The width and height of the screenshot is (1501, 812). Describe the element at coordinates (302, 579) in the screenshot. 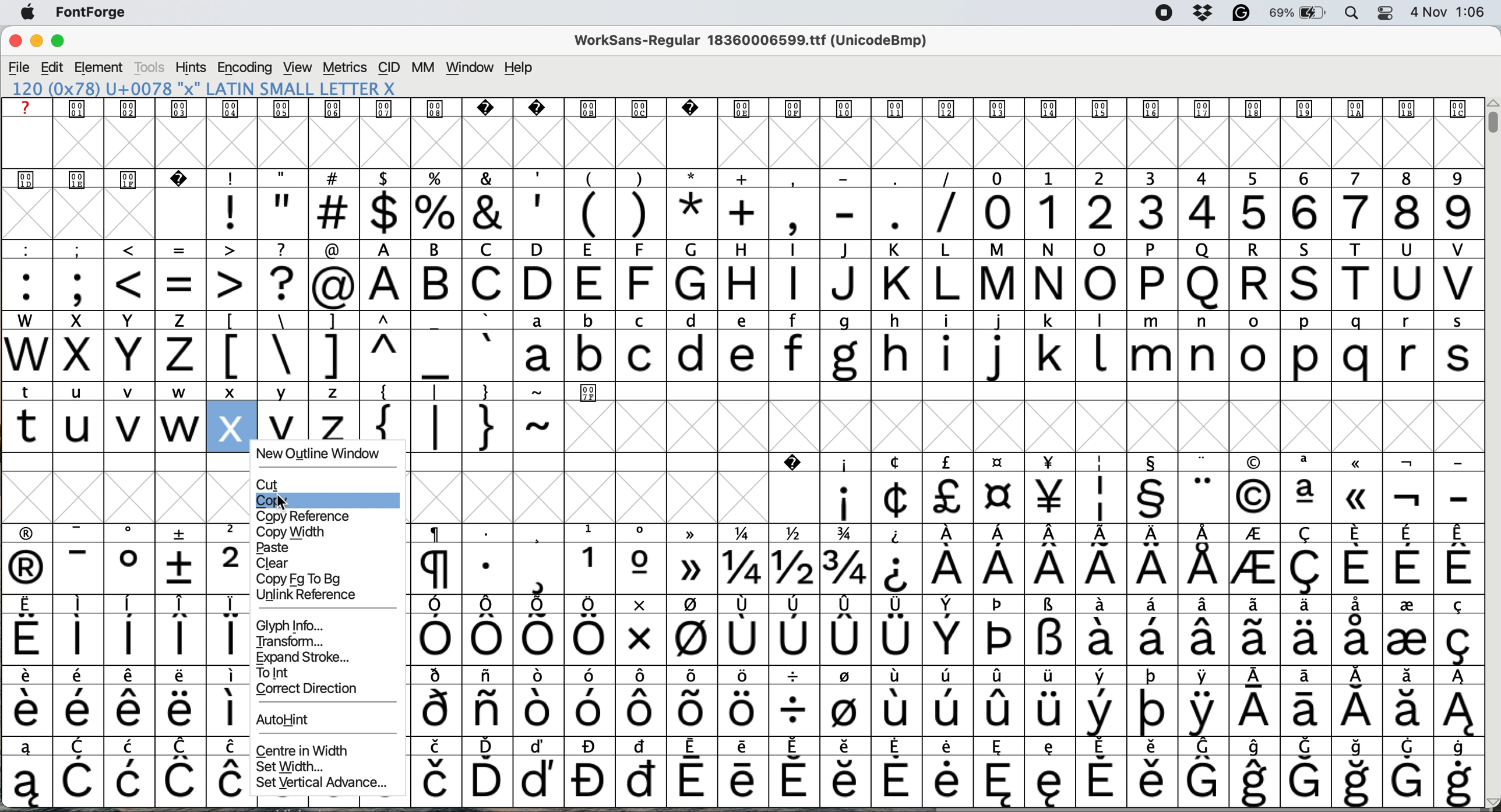

I see `copy fg to bg` at that location.